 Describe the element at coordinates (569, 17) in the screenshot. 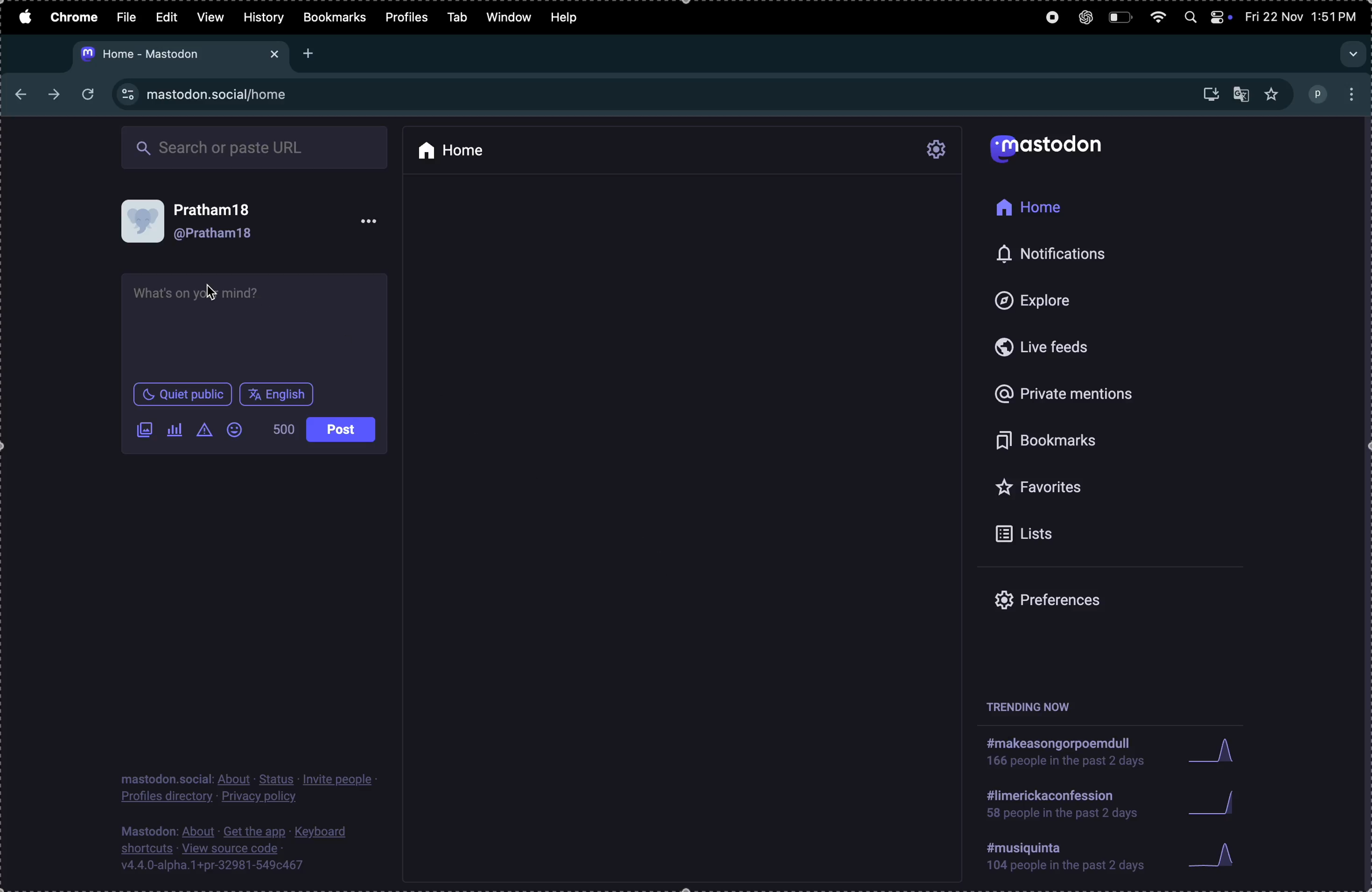

I see `help` at that location.